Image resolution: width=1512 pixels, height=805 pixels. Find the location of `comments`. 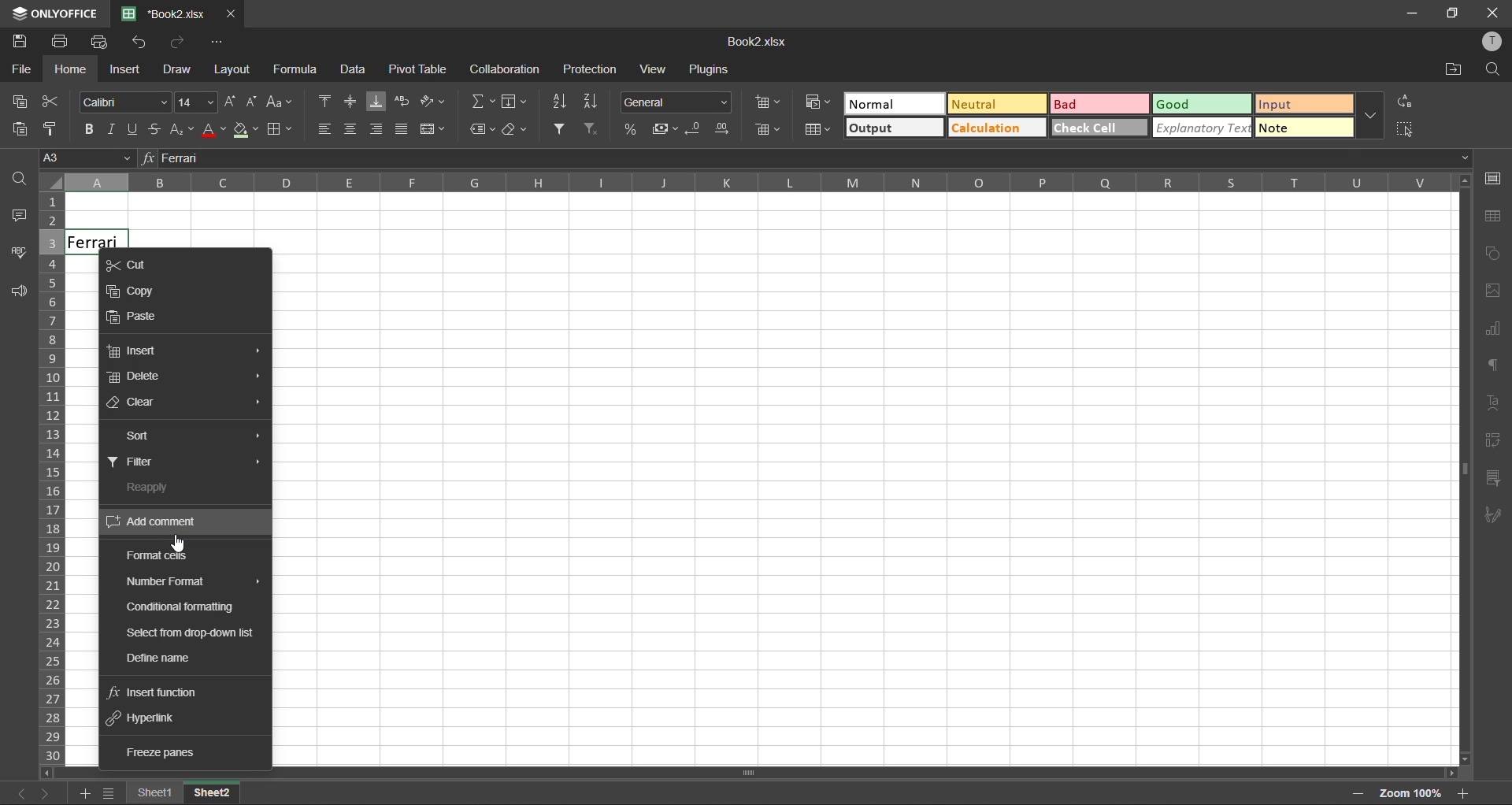

comments is located at coordinates (20, 218).